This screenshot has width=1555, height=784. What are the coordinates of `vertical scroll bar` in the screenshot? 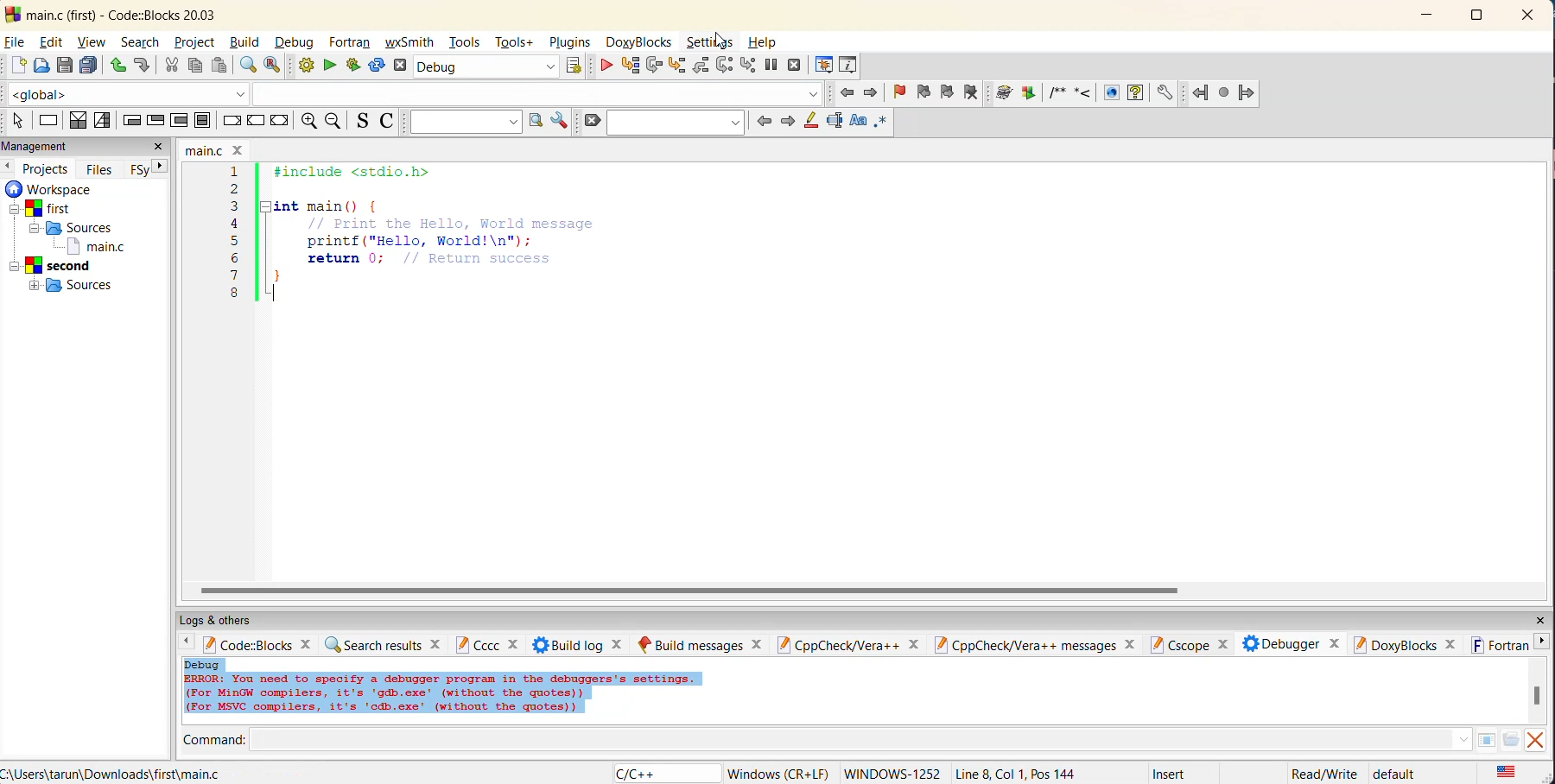 It's located at (1539, 695).